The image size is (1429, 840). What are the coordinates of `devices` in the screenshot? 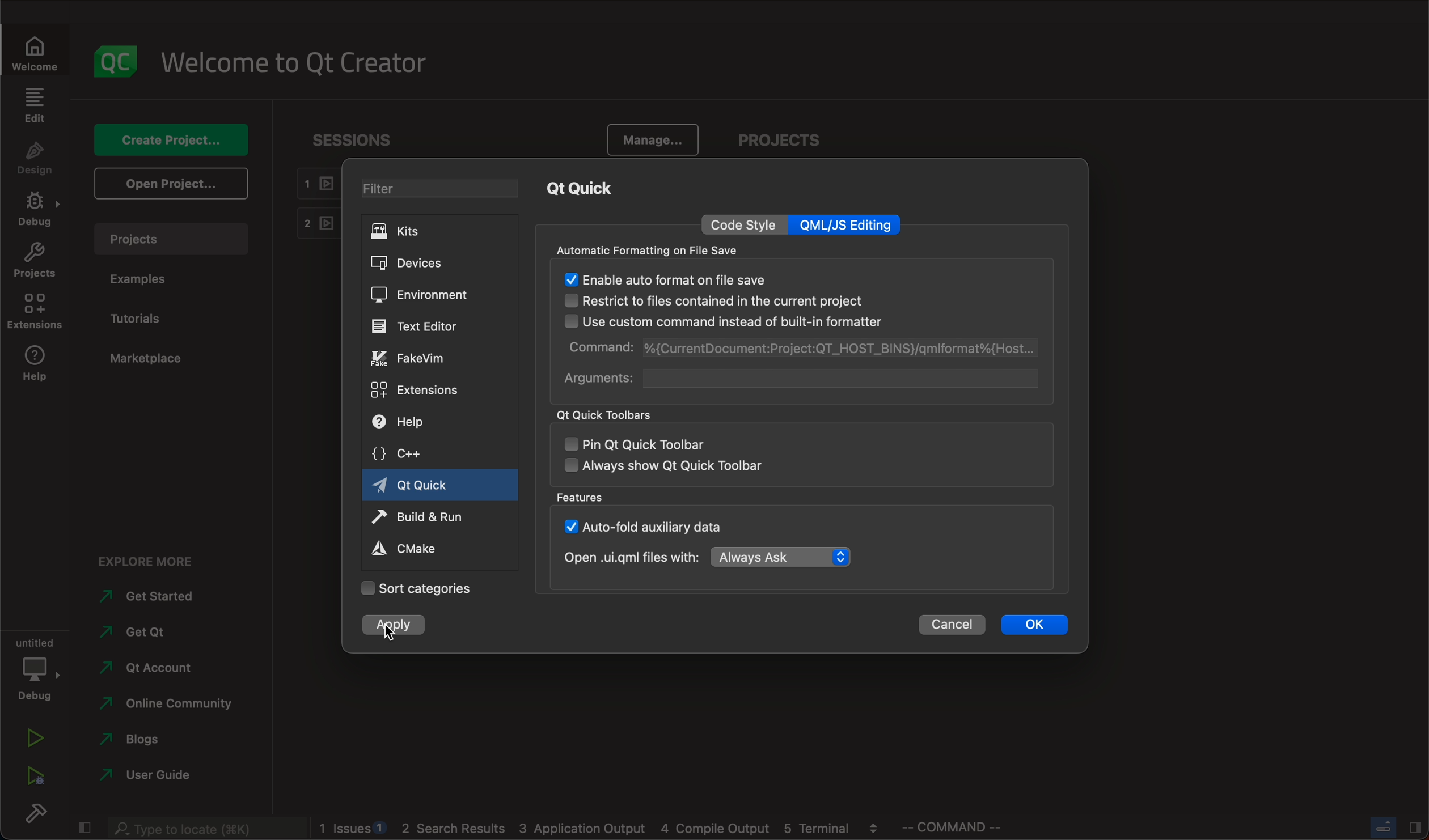 It's located at (433, 264).